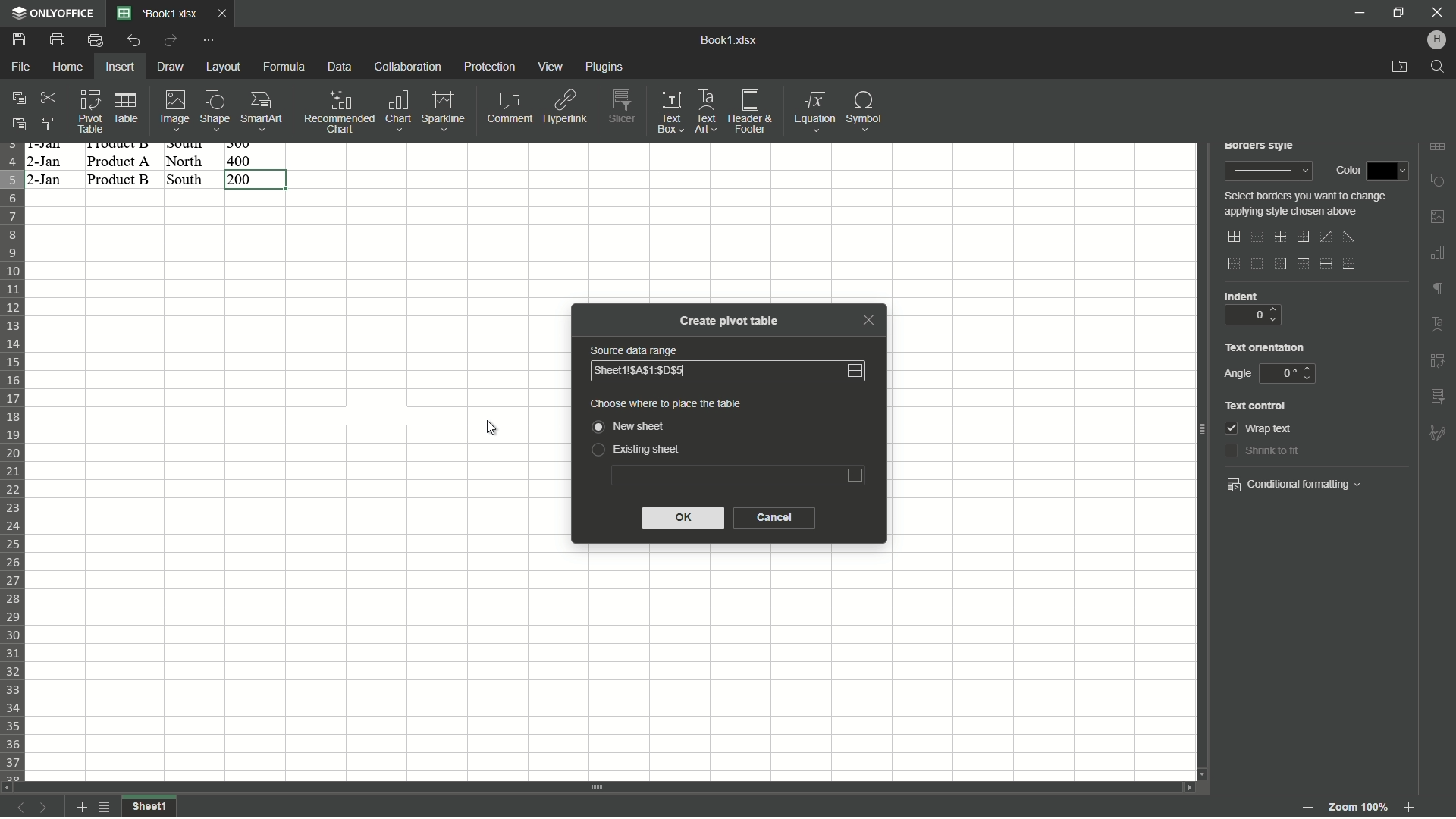 The height and width of the screenshot is (819, 1456). What do you see at coordinates (1231, 237) in the screenshot?
I see `outer and inner lines` at bounding box center [1231, 237].